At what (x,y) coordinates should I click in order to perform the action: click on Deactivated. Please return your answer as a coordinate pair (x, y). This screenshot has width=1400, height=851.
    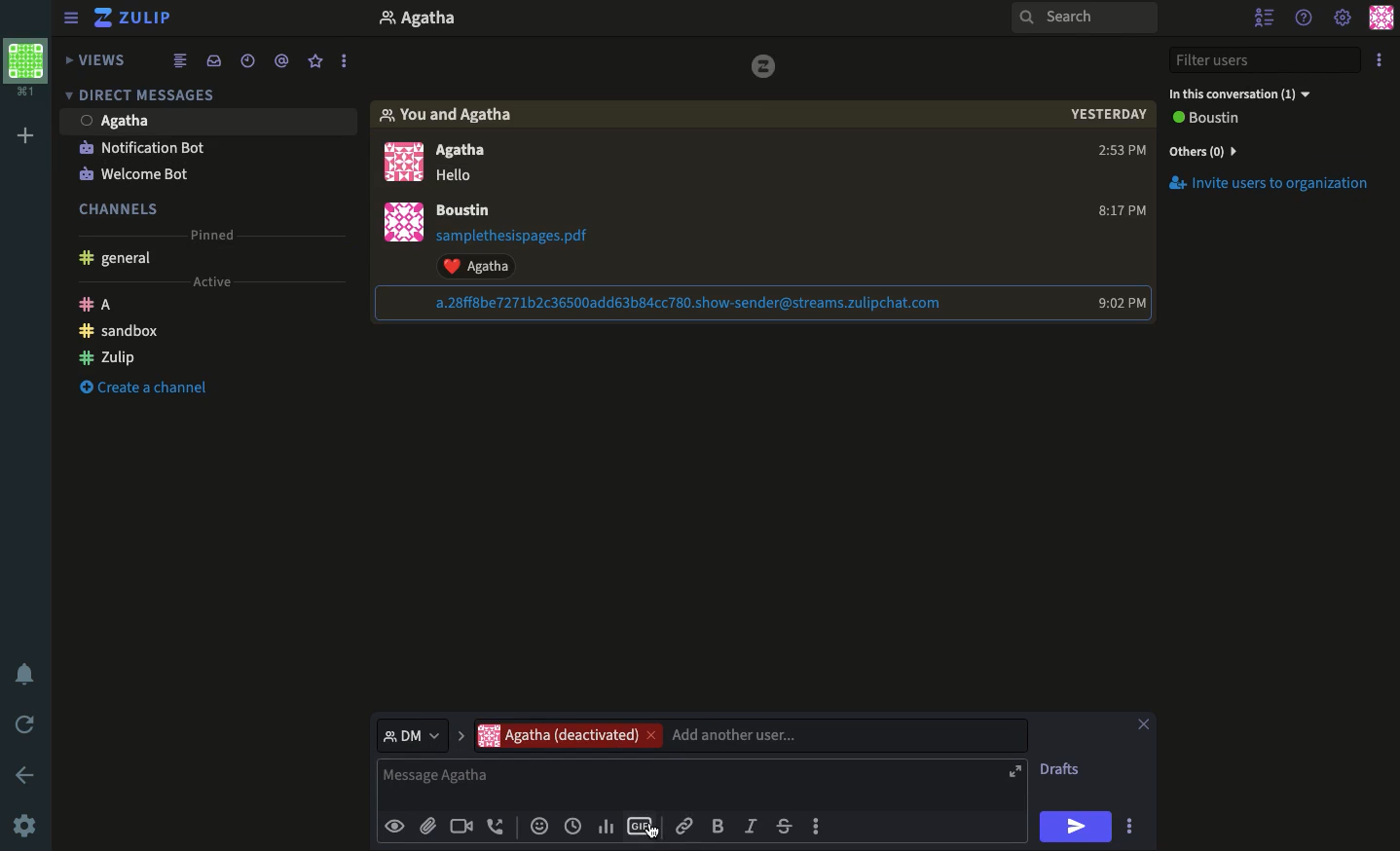
    Looking at the image, I should click on (751, 734).